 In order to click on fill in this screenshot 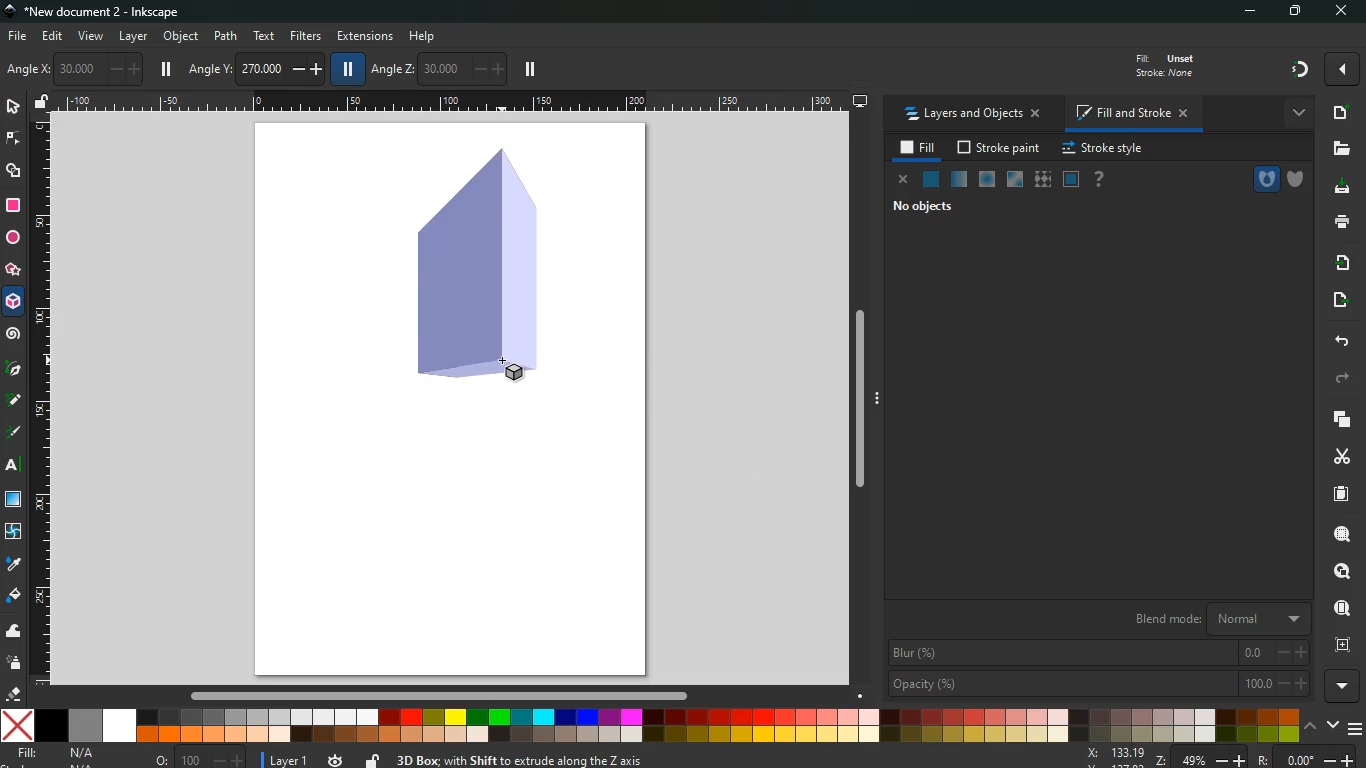, I will do `click(14, 596)`.